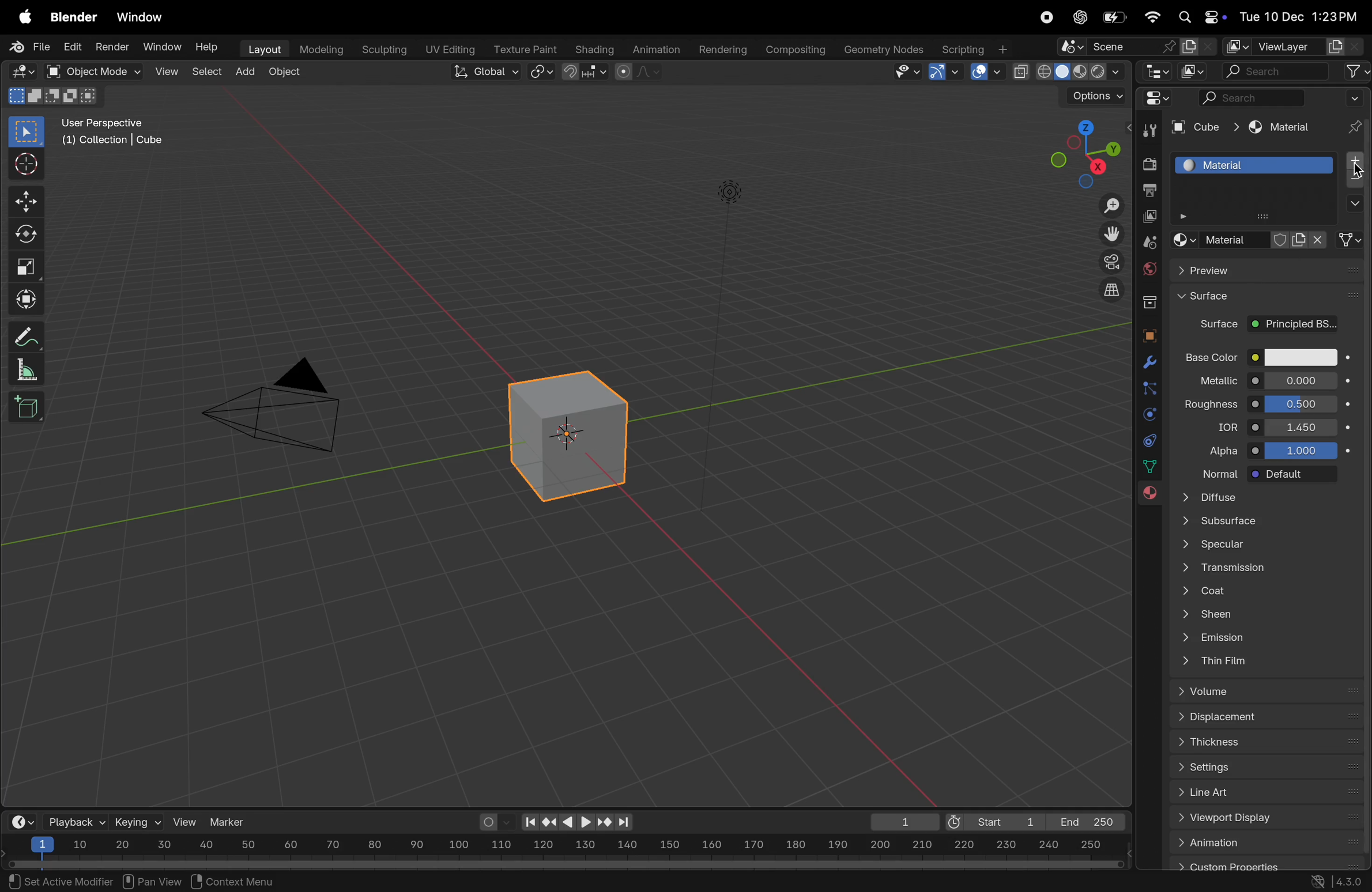  I want to click on preview, so click(1266, 270).